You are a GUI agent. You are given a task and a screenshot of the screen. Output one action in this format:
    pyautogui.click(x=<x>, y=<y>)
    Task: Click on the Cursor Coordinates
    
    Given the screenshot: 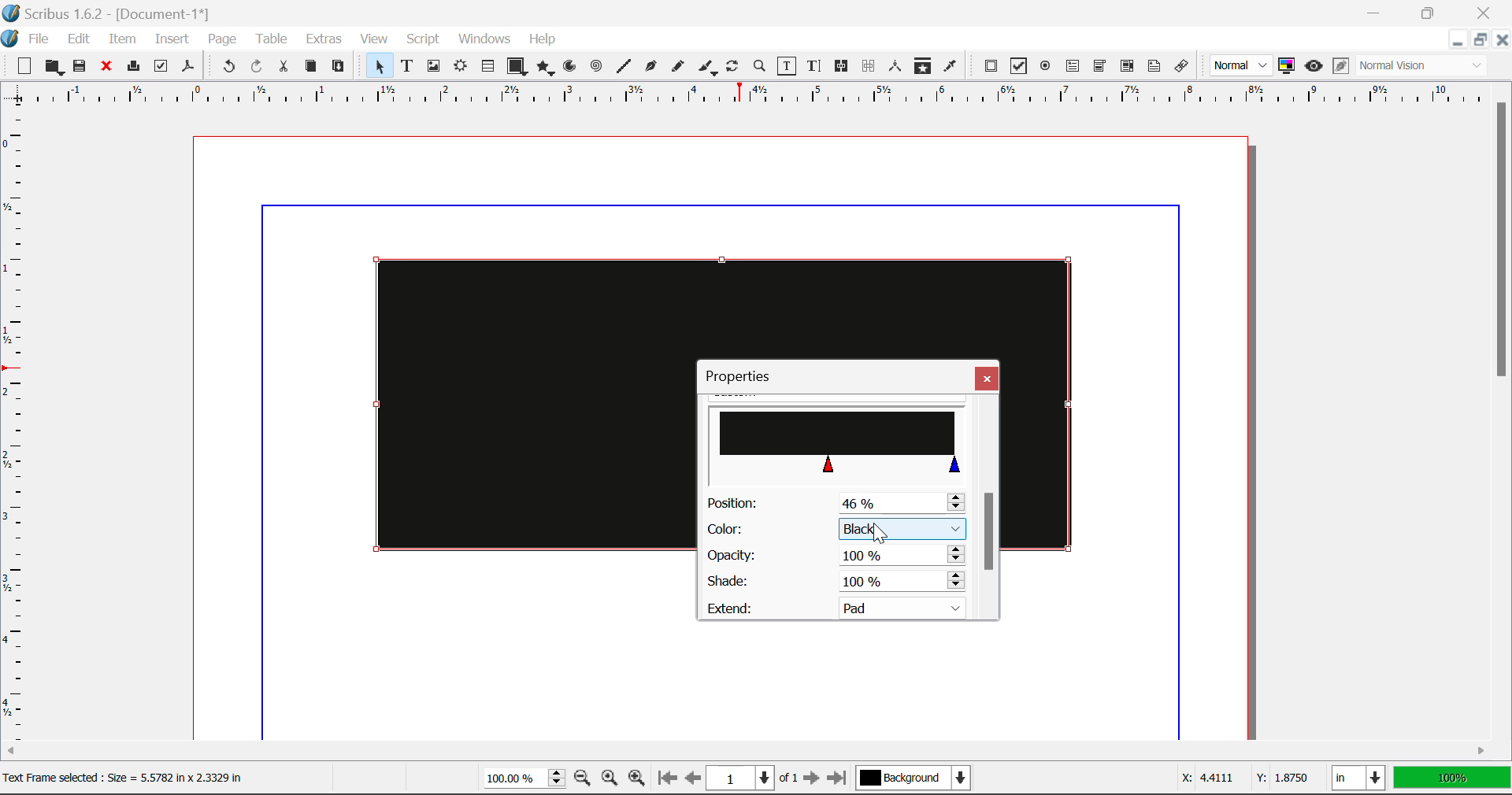 What is the action you would take?
    pyautogui.click(x=1241, y=778)
    